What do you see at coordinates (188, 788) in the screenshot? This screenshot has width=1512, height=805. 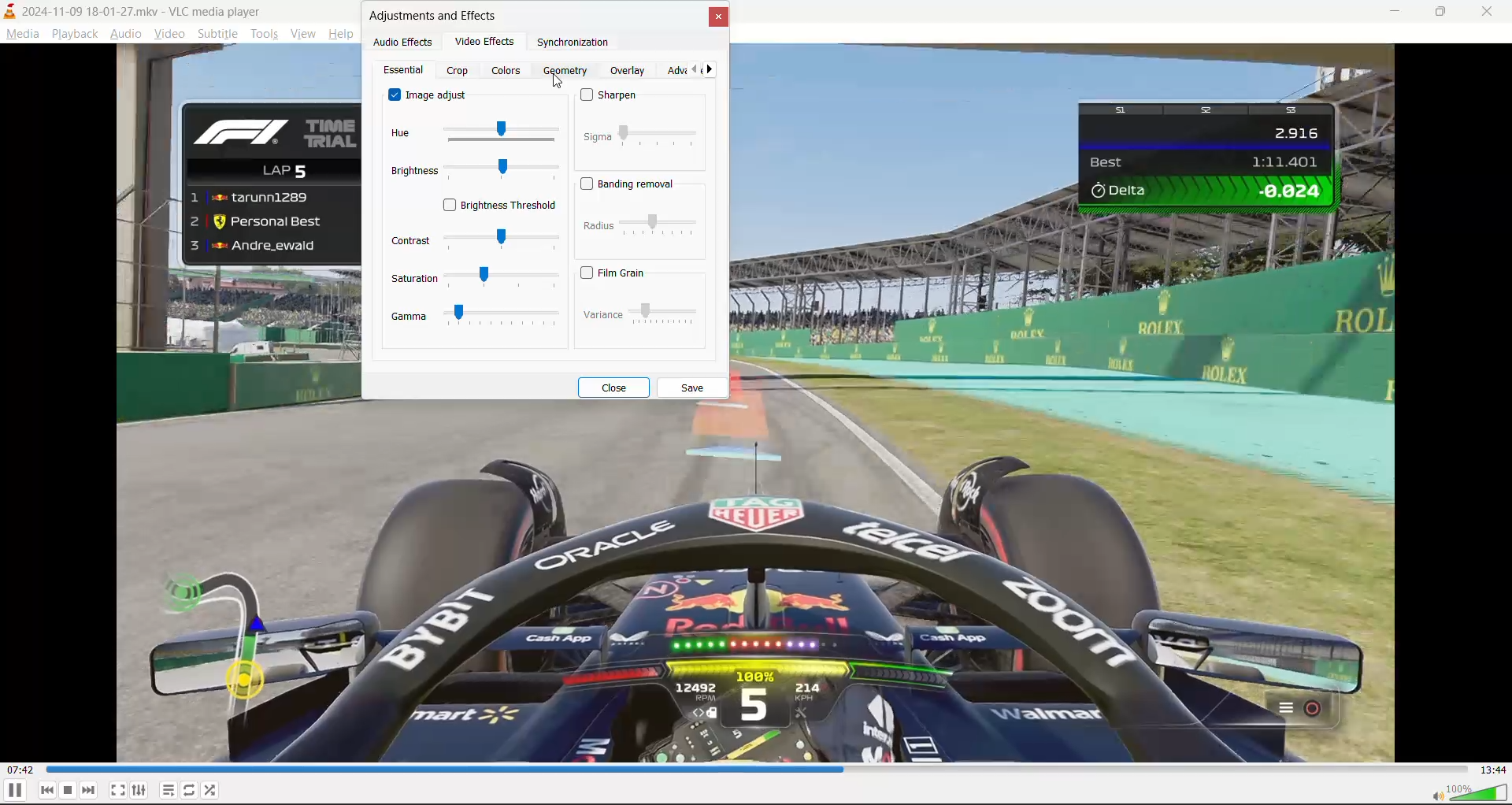 I see `loop` at bounding box center [188, 788].